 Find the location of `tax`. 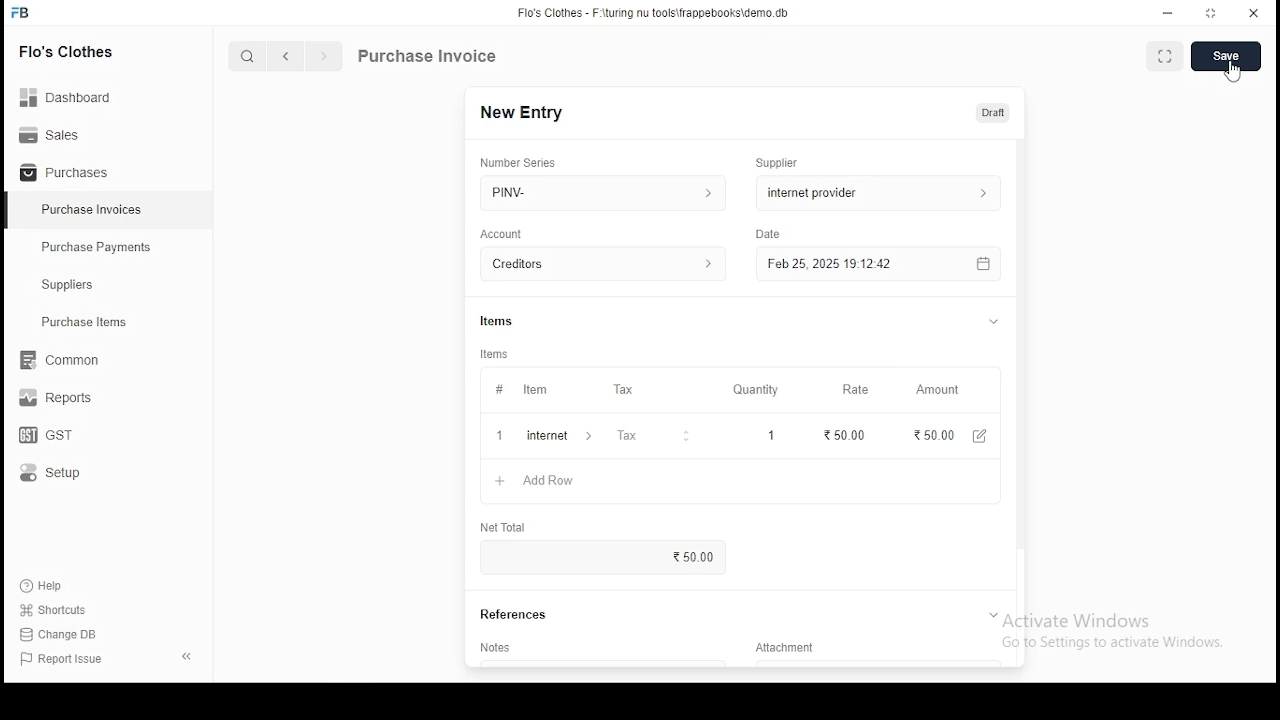

tax is located at coordinates (627, 438).